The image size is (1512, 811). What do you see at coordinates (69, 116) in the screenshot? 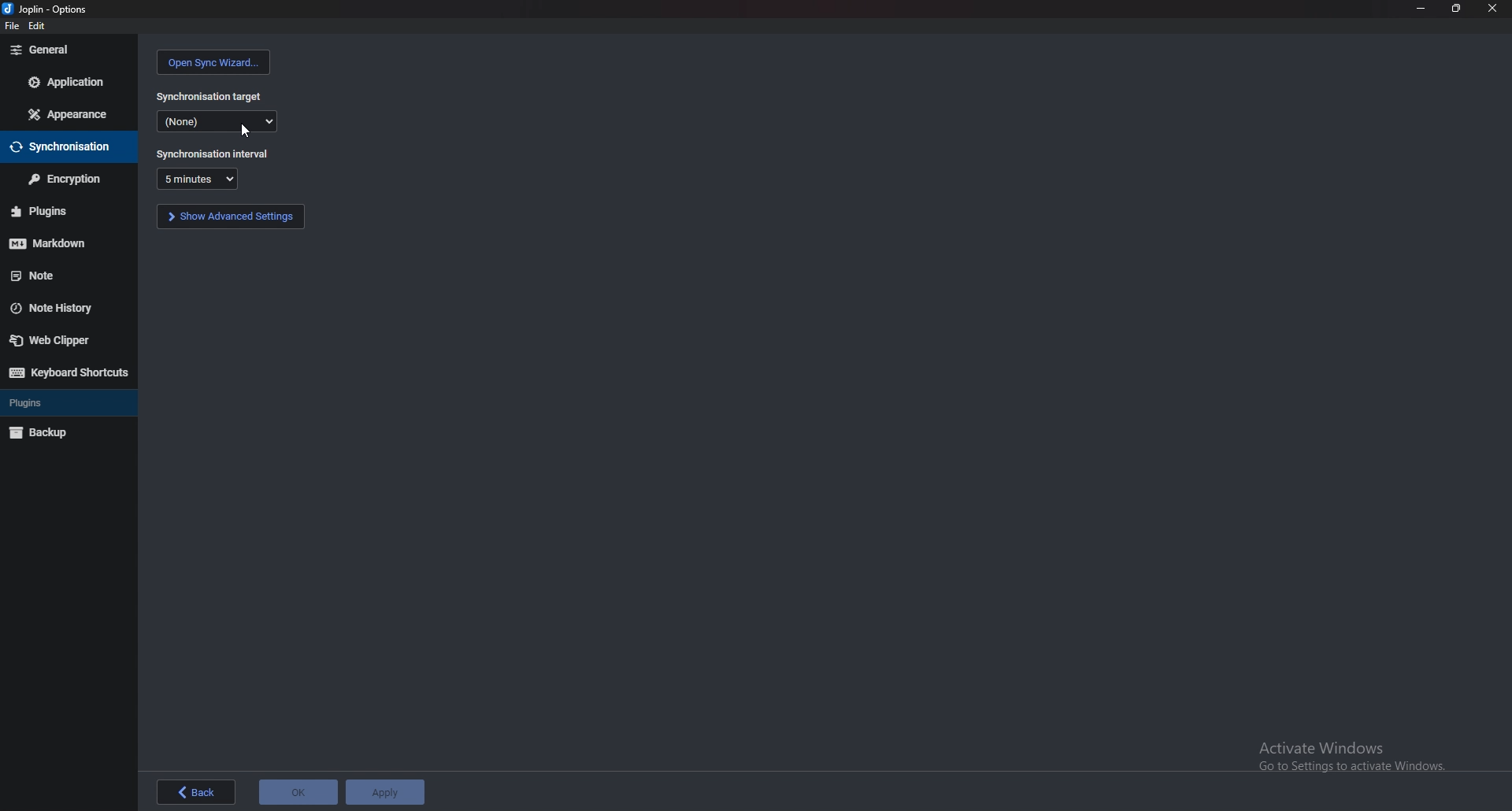
I see `appearance` at bounding box center [69, 116].